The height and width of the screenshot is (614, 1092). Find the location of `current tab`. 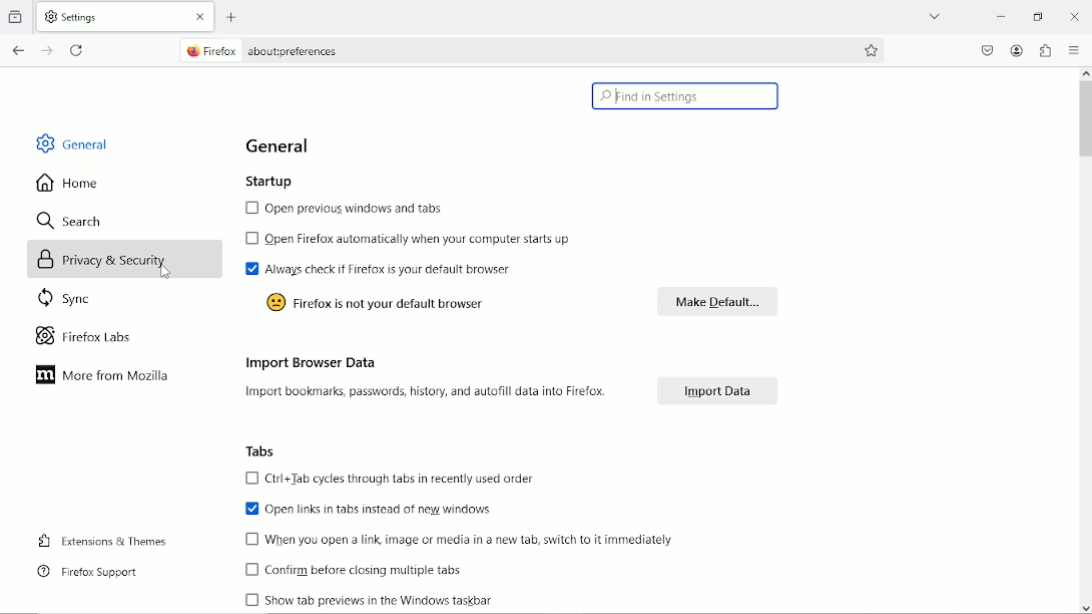

current tab is located at coordinates (111, 17).